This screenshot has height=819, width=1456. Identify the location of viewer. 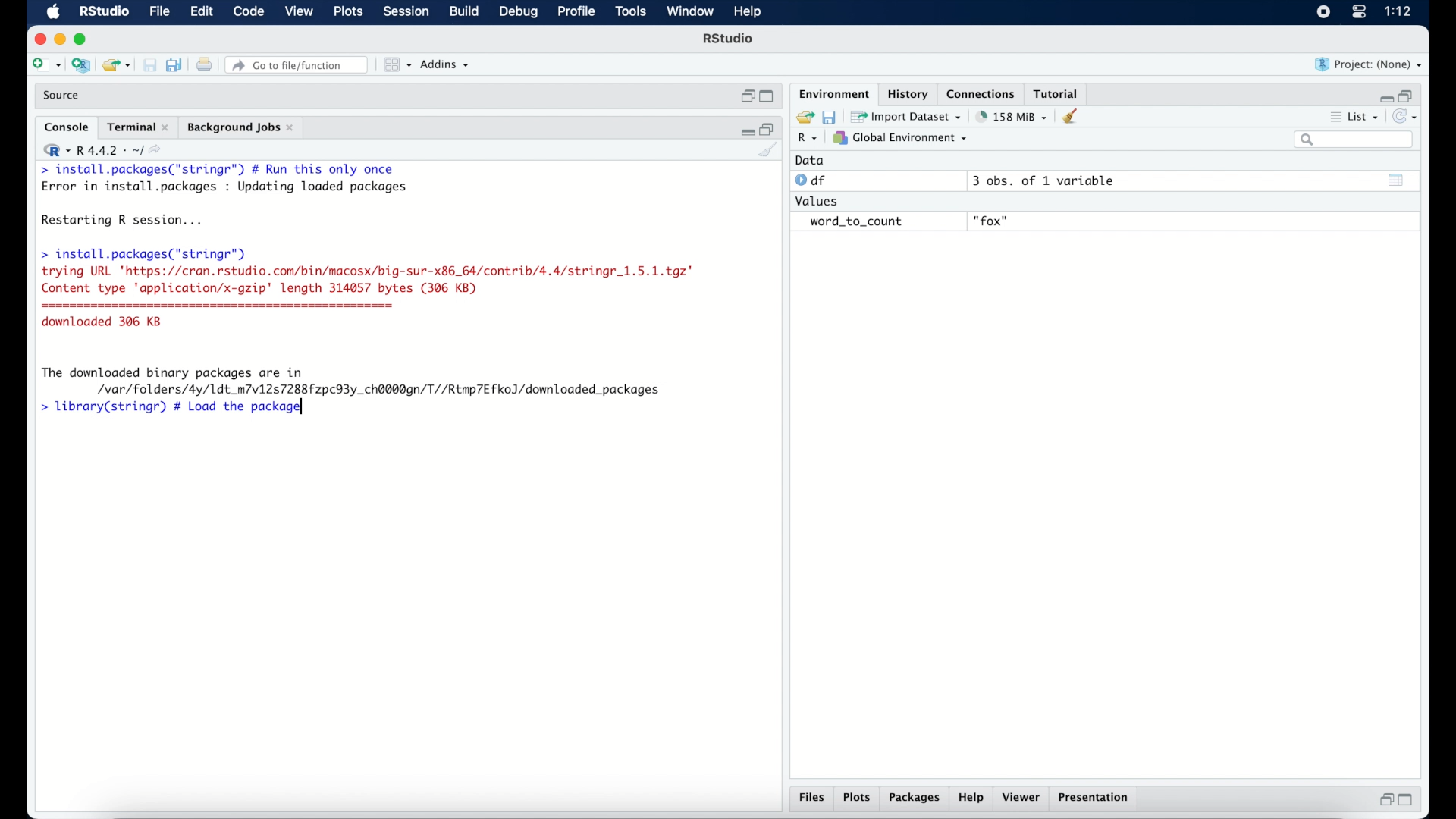
(1022, 798).